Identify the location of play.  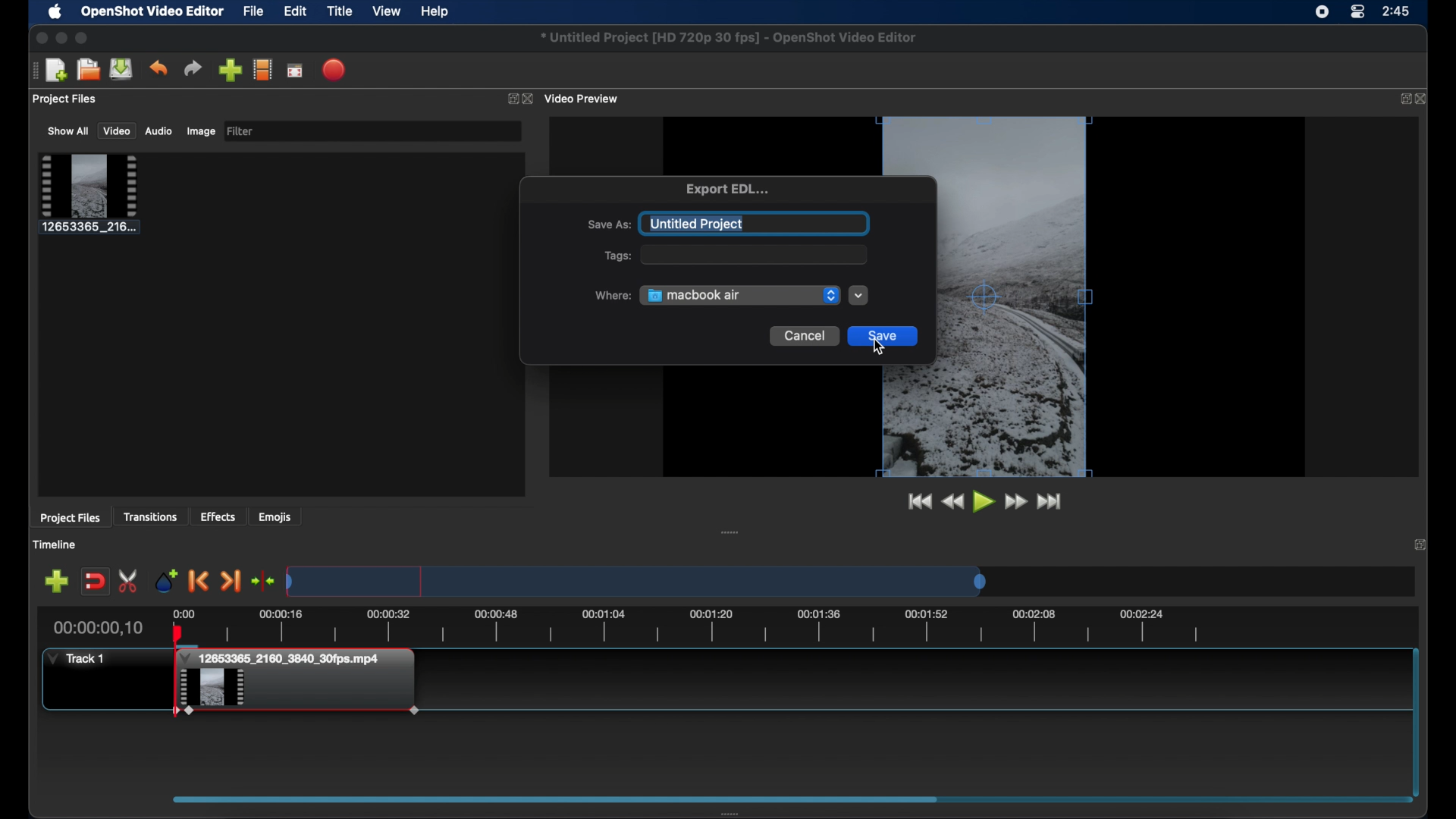
(983, 502).